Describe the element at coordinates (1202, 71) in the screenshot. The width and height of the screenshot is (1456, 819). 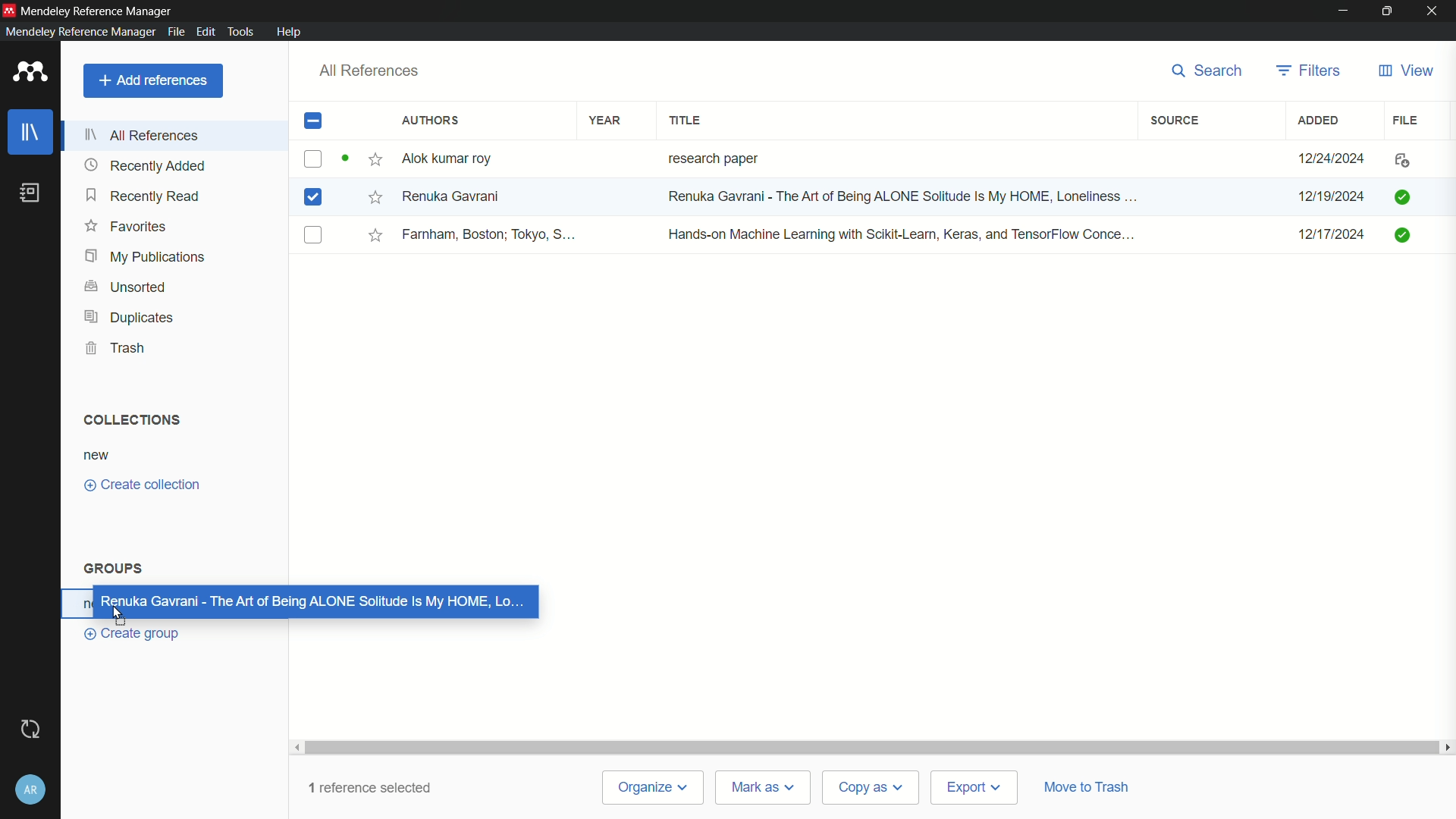
I see `search` at that location.